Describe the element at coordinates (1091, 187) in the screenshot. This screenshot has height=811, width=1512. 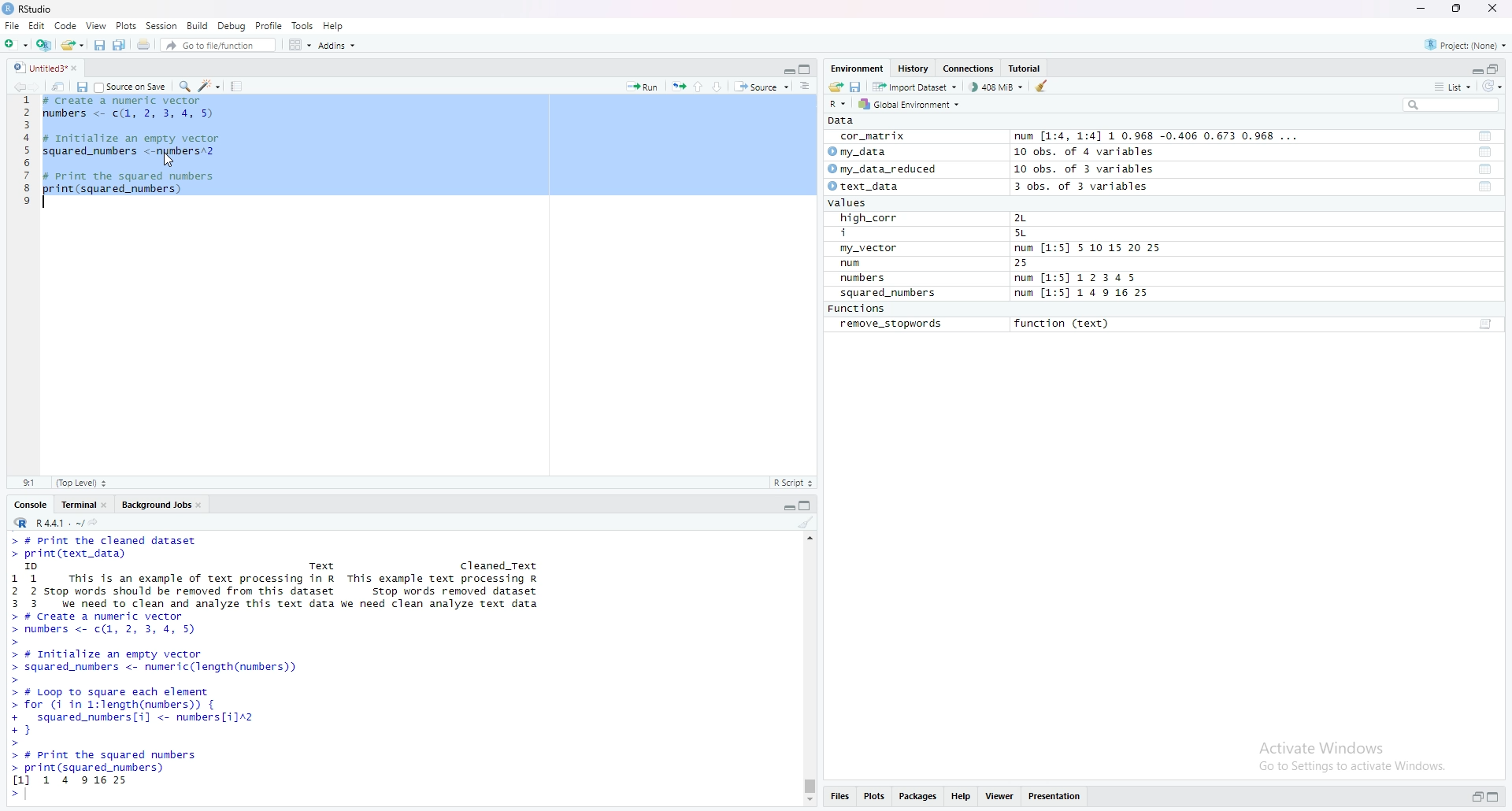
I see `3 obs. of 3 variables` at that location.